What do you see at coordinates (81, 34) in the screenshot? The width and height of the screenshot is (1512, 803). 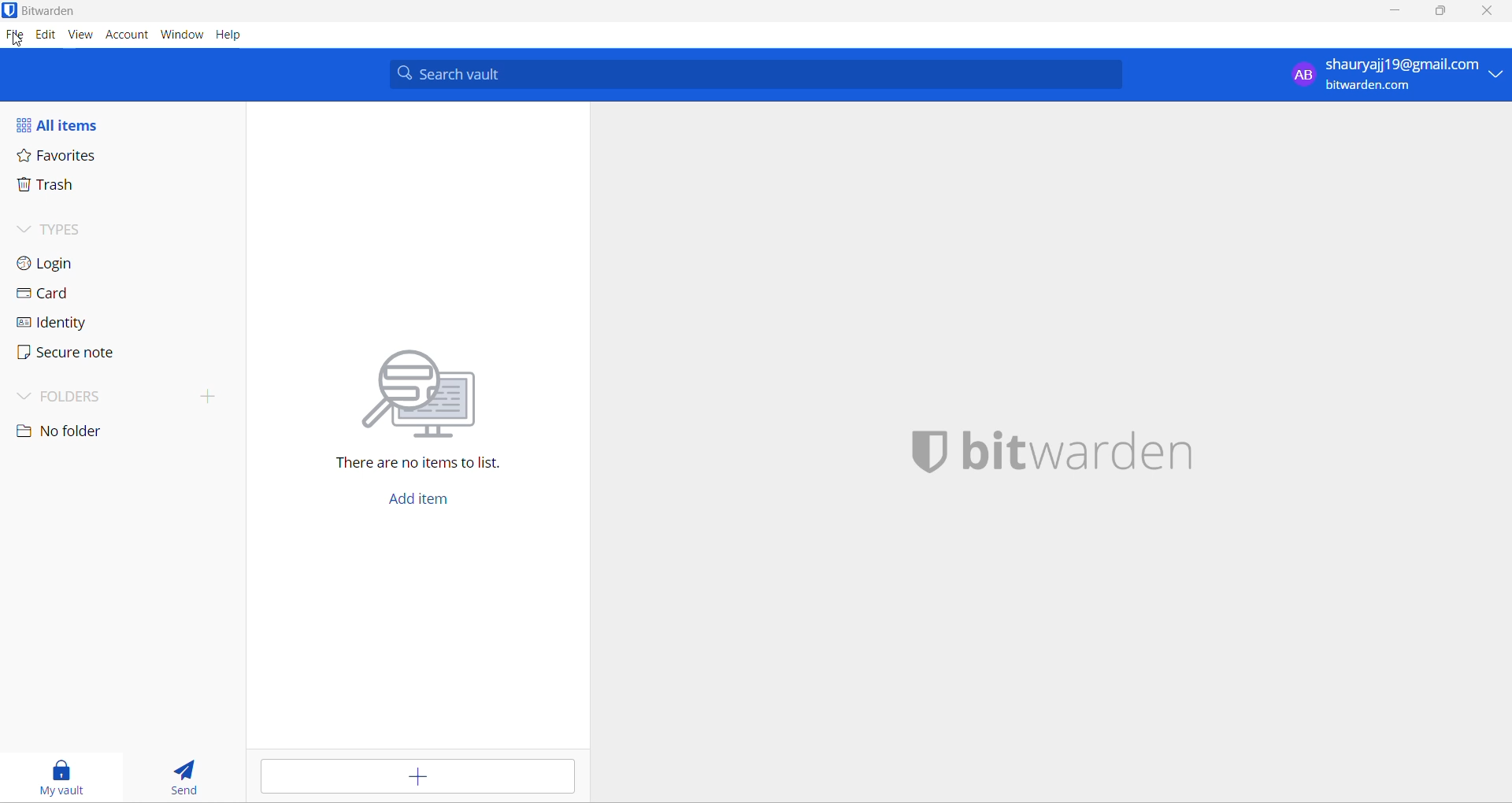 I see `view` at bounding box center [81, 34].